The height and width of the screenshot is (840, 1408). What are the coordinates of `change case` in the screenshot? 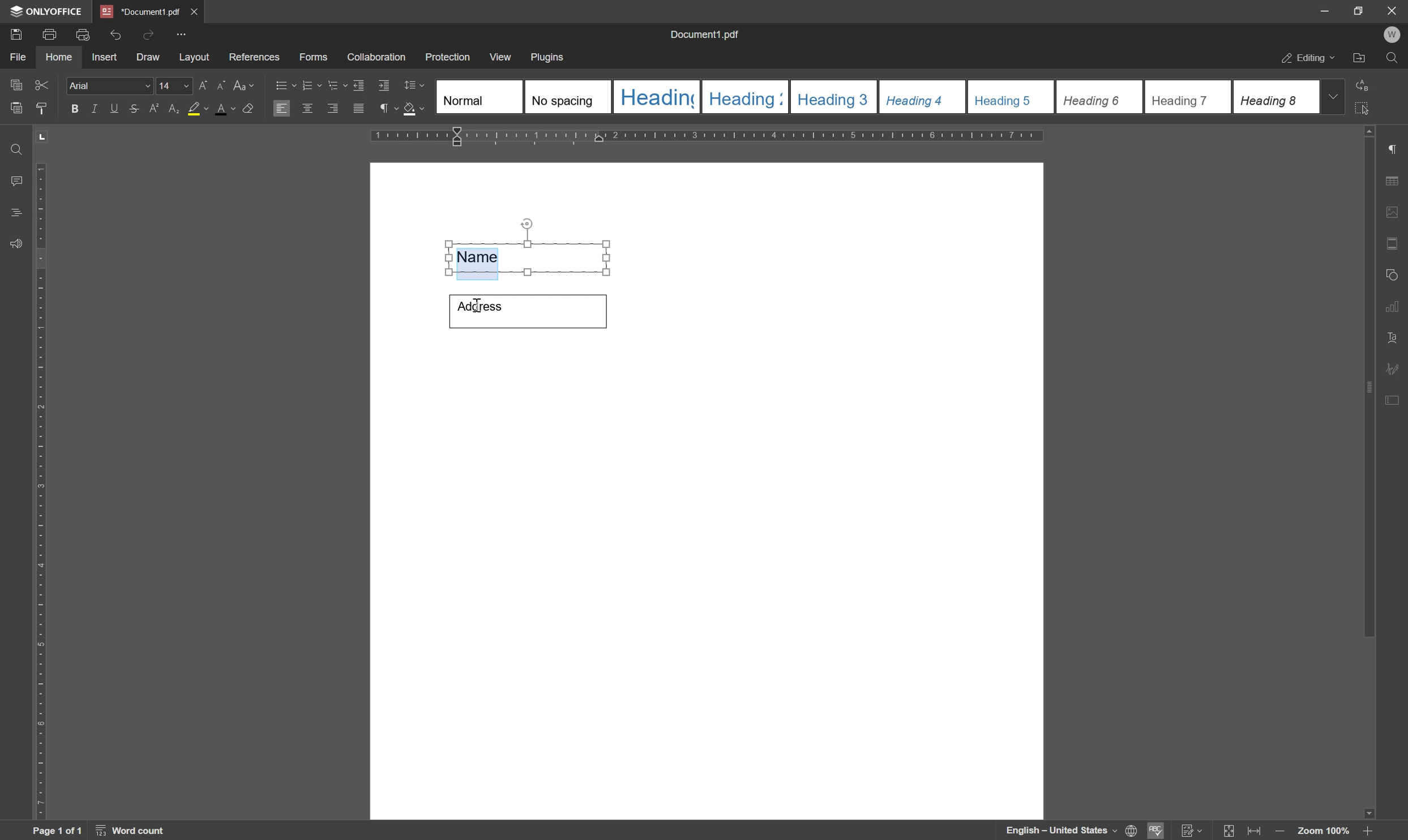 It's located at (246, 84).